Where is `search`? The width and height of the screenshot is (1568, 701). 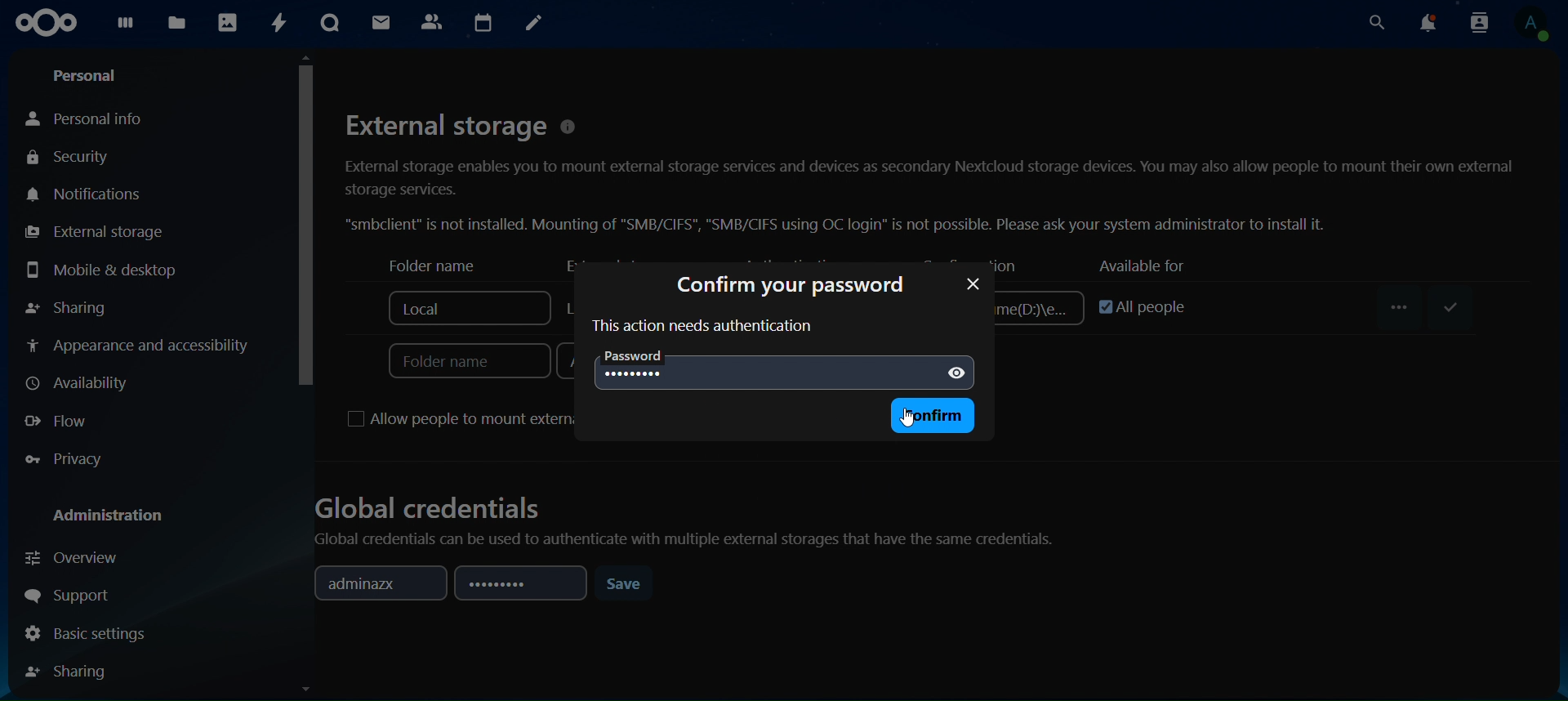
search is located at coordinates (1375, 23).